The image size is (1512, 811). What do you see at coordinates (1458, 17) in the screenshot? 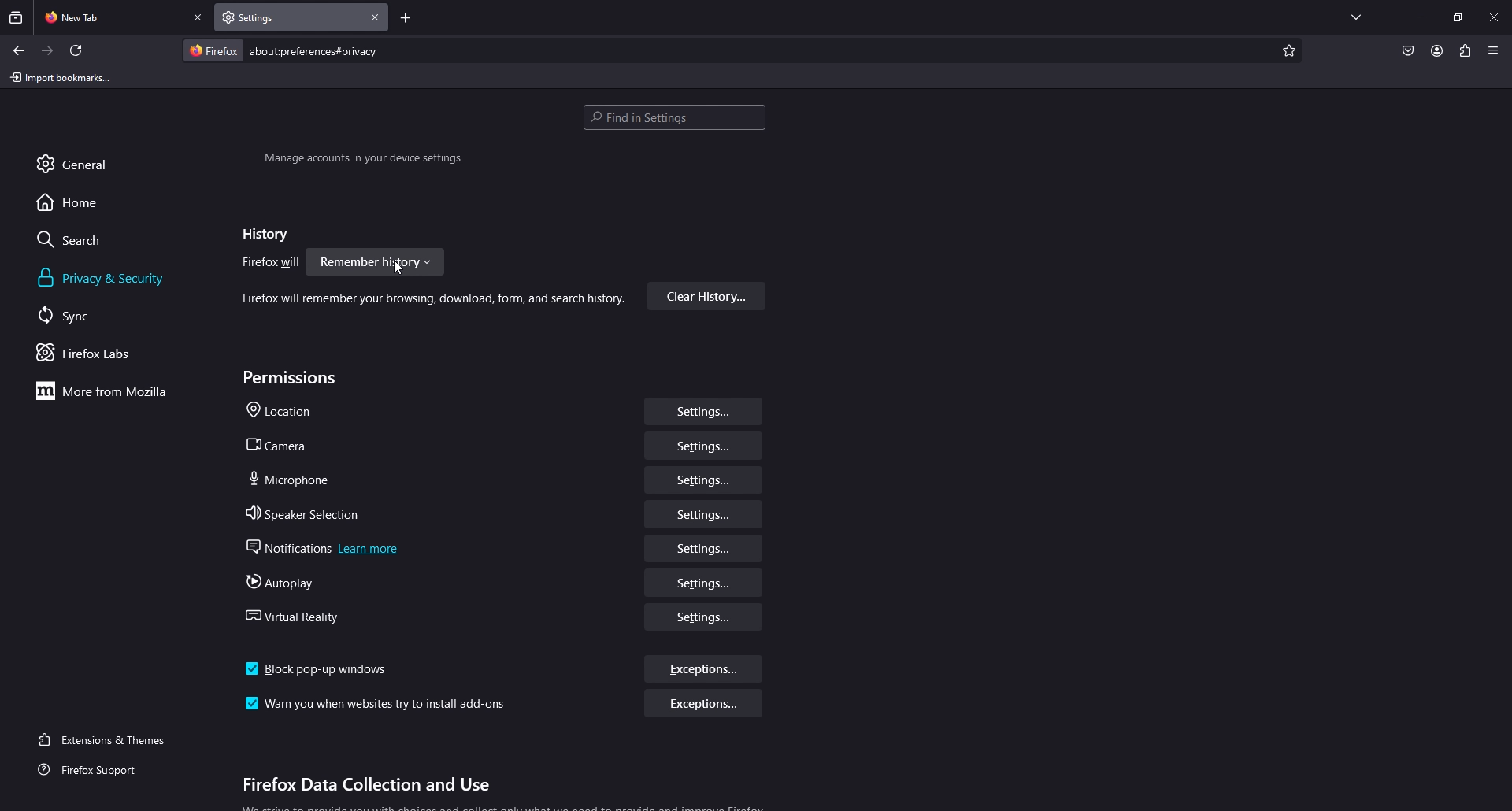
I see `resize` at bounding box center [1458, 17].